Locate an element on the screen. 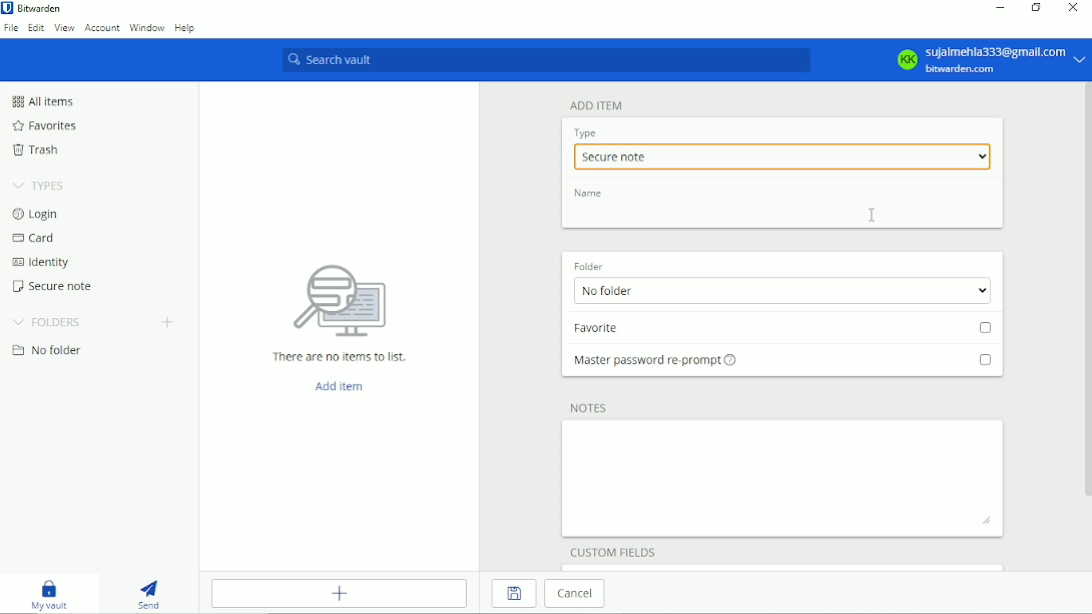 The width and height of the screenshot is (1092, 614). Vertical scrollbar is located at coordinates (1085, 295).